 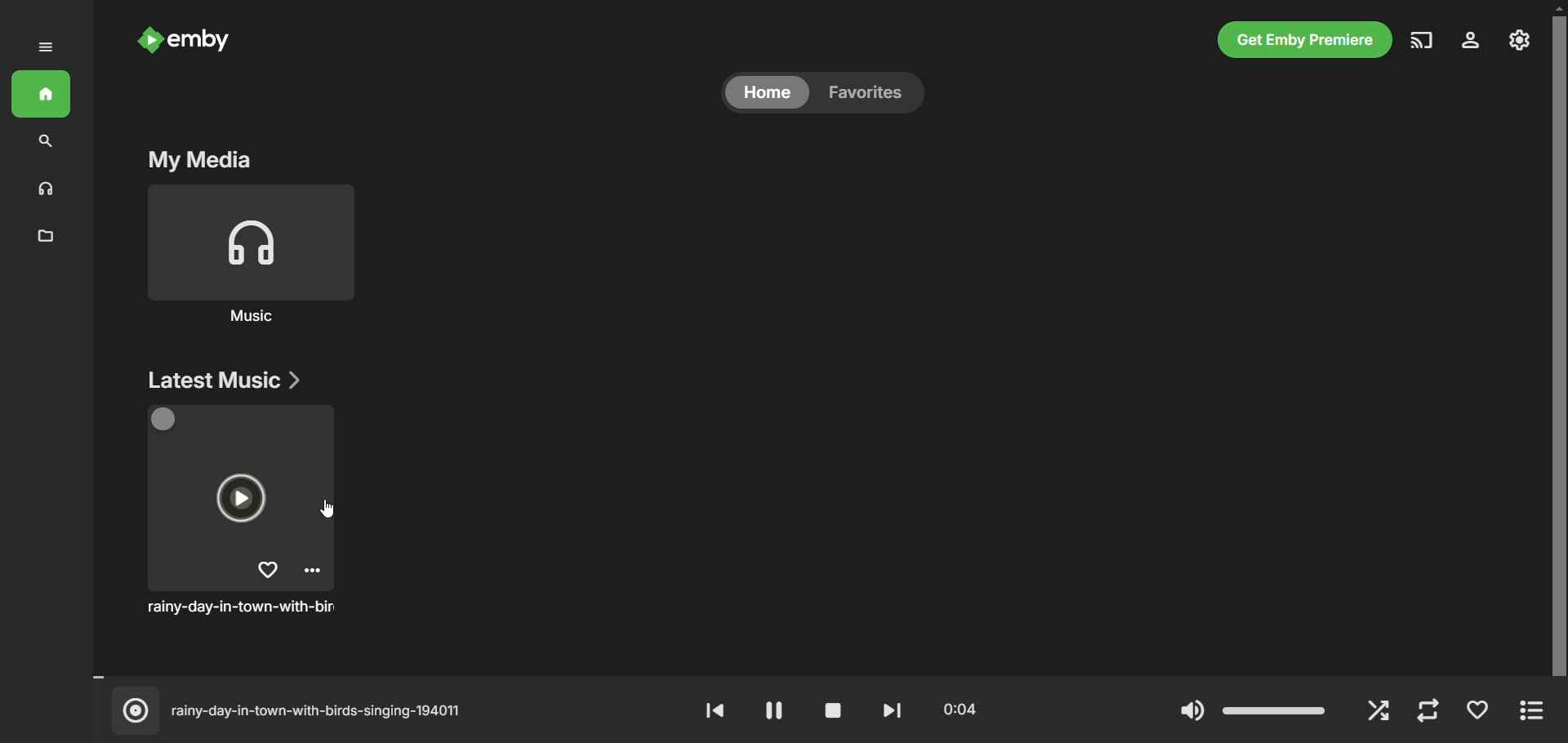 I want to click on settings, so click(x=1477, y=42).